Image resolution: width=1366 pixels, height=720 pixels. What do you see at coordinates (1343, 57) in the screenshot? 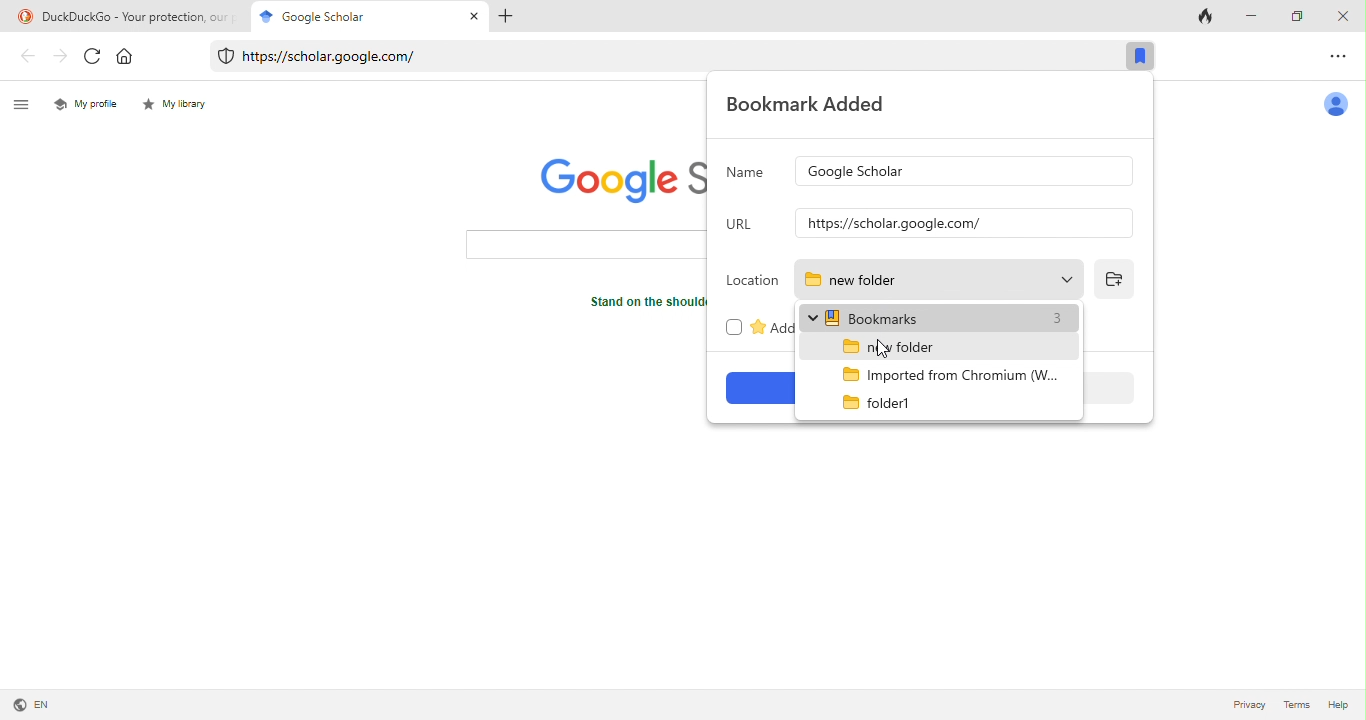
I see `option` at bounding box center [1343, 57].